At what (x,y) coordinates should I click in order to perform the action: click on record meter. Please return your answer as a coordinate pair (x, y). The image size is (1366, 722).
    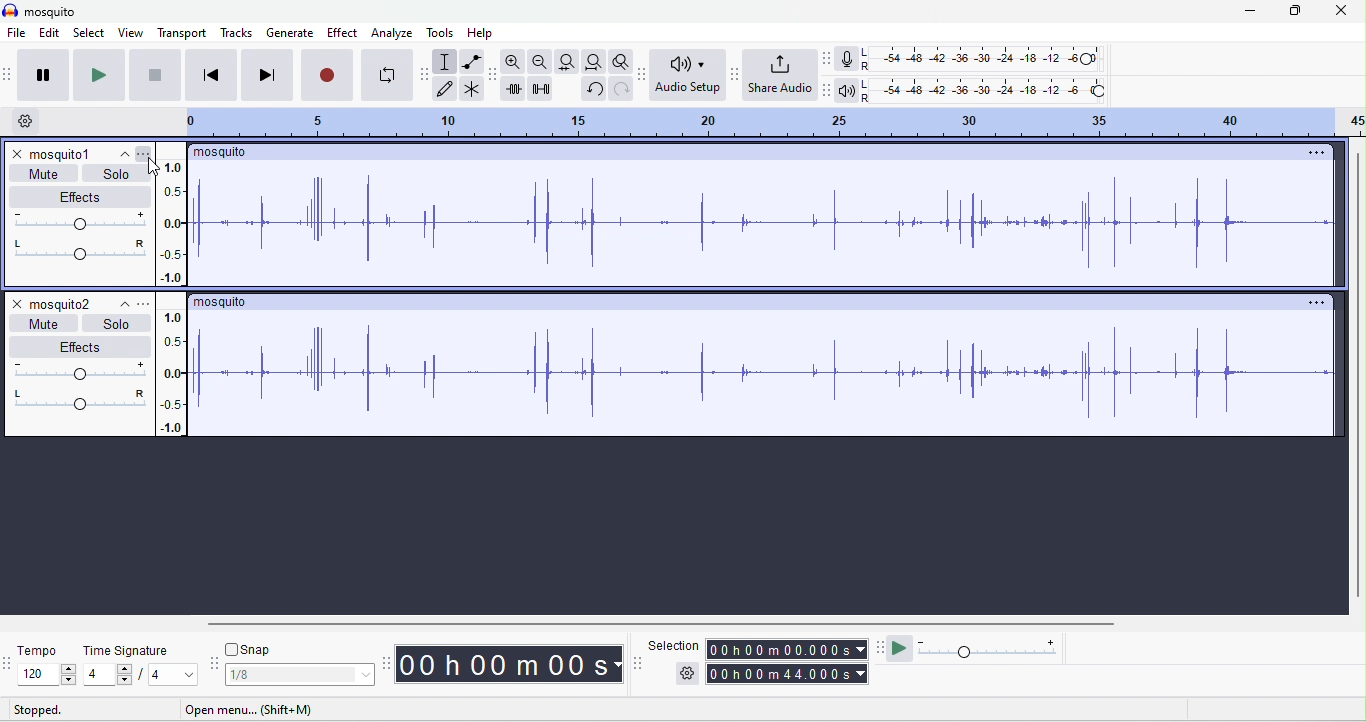
    Looking at the image, I should click on (848, 58).